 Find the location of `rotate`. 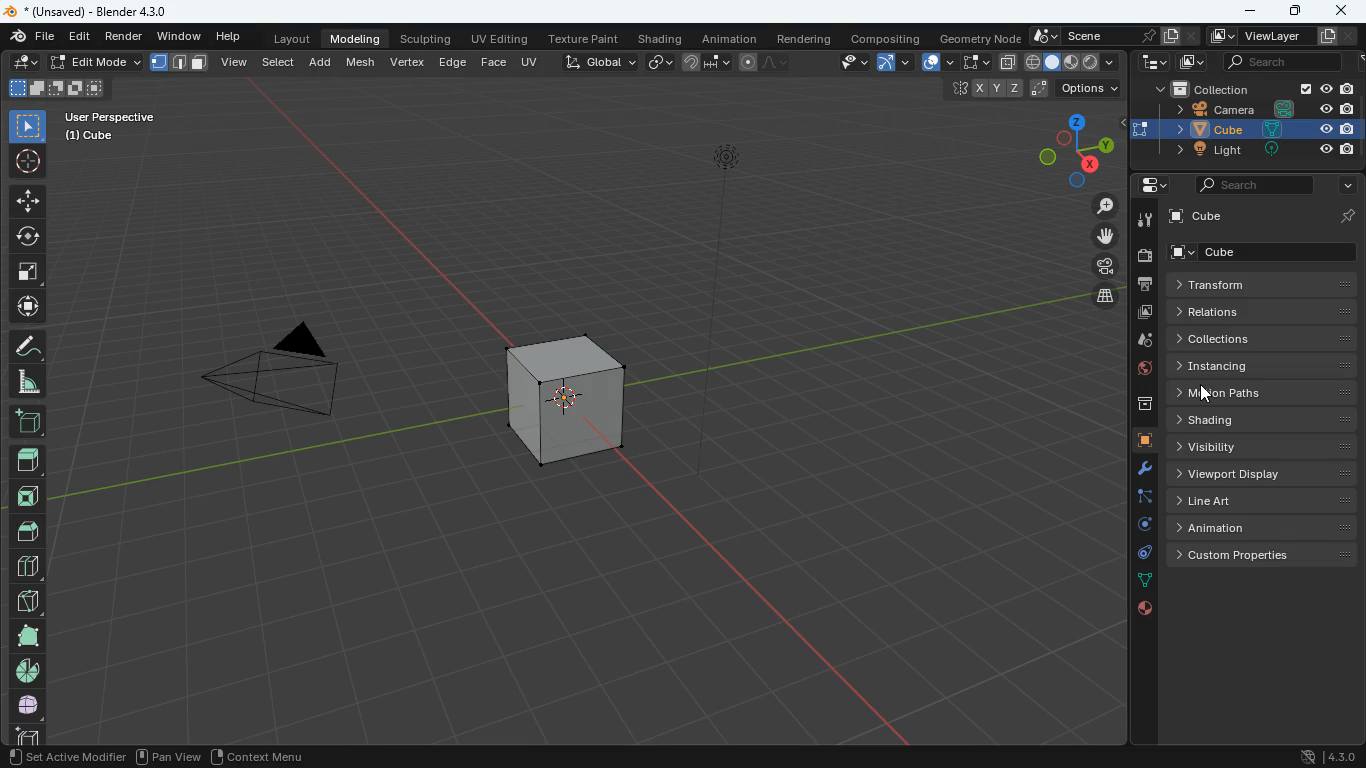

rotate is located at coordinates (1138, 529).